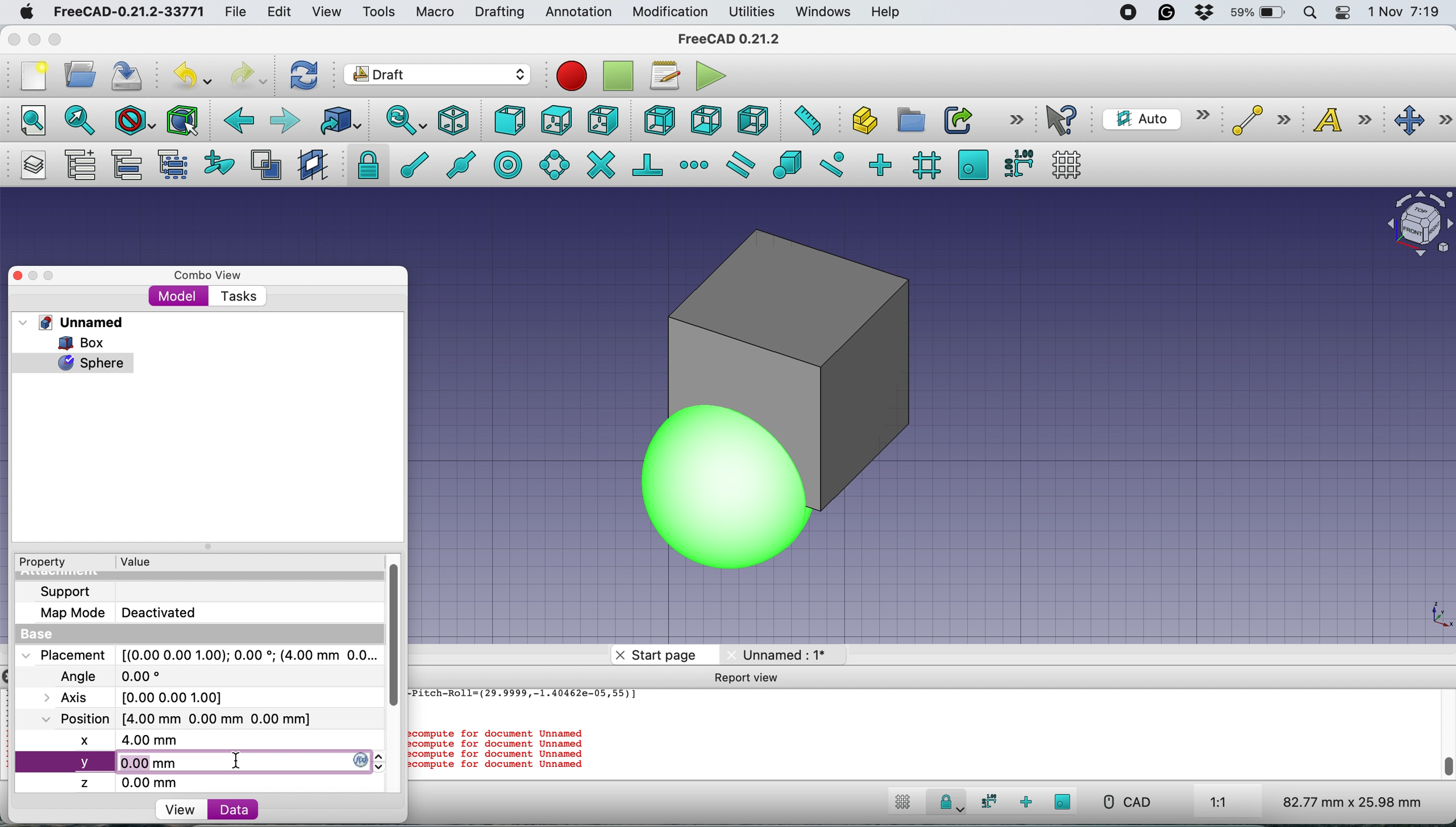 The image size is (1456, 827). What do you see at coordinates (664, 76) in the screenshot?
I see `macros` at bounding box center [664, 76].